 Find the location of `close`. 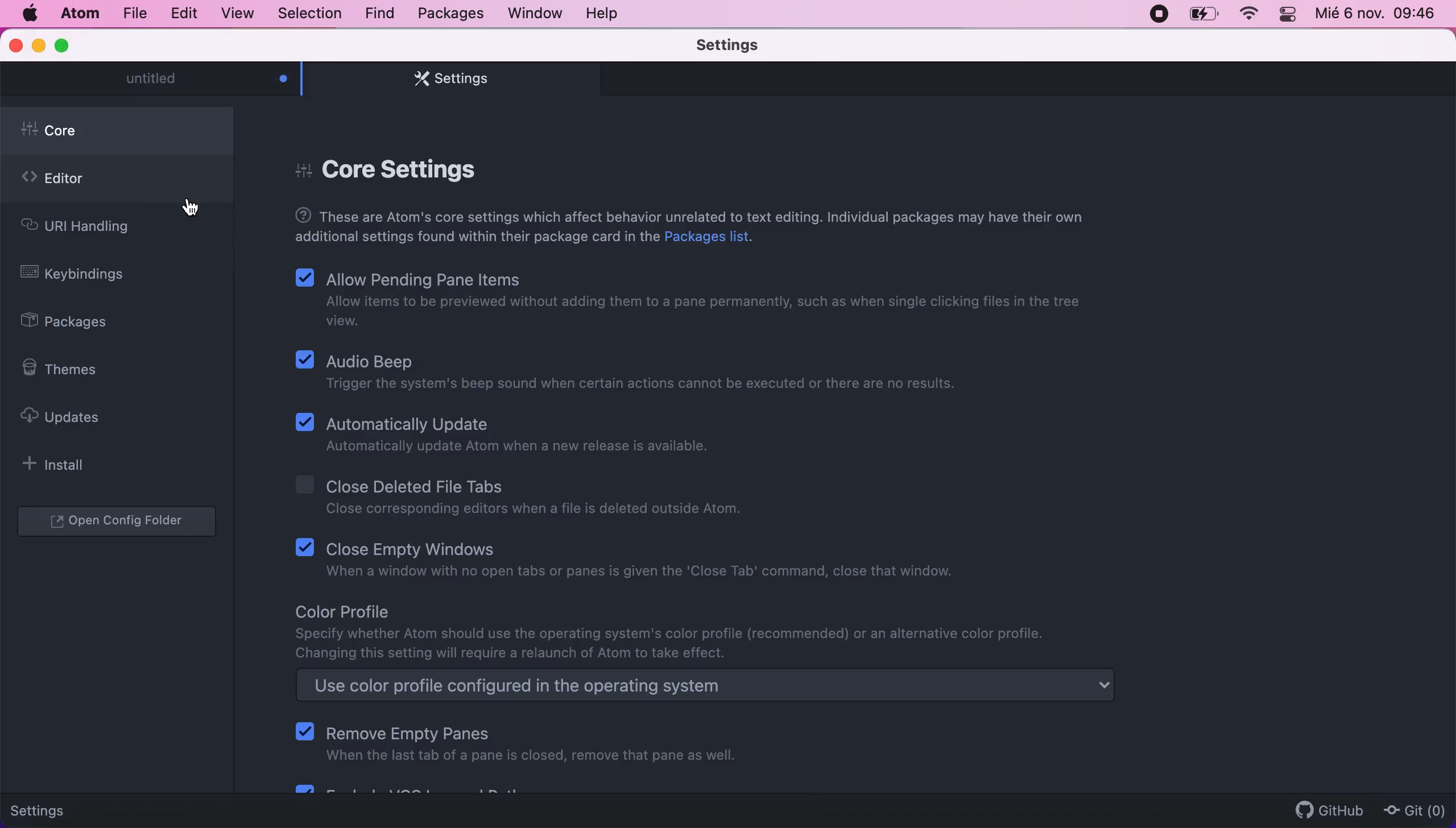

close is located at coordinates (17, 45).